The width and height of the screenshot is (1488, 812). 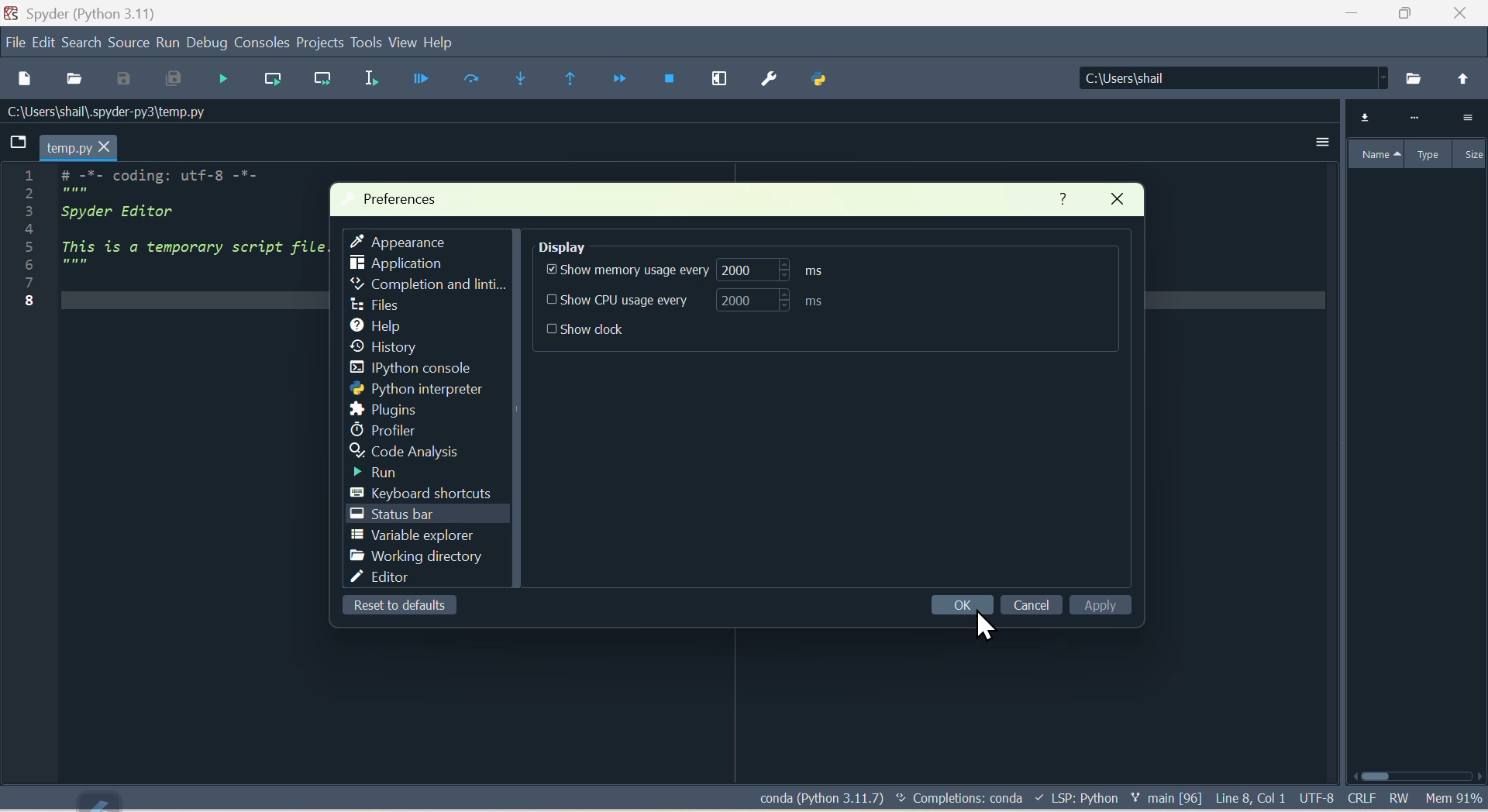 What do you see at coordinates (591, 331) in the screenshot?
I see `show Dock` at bounding box center [591, 331].